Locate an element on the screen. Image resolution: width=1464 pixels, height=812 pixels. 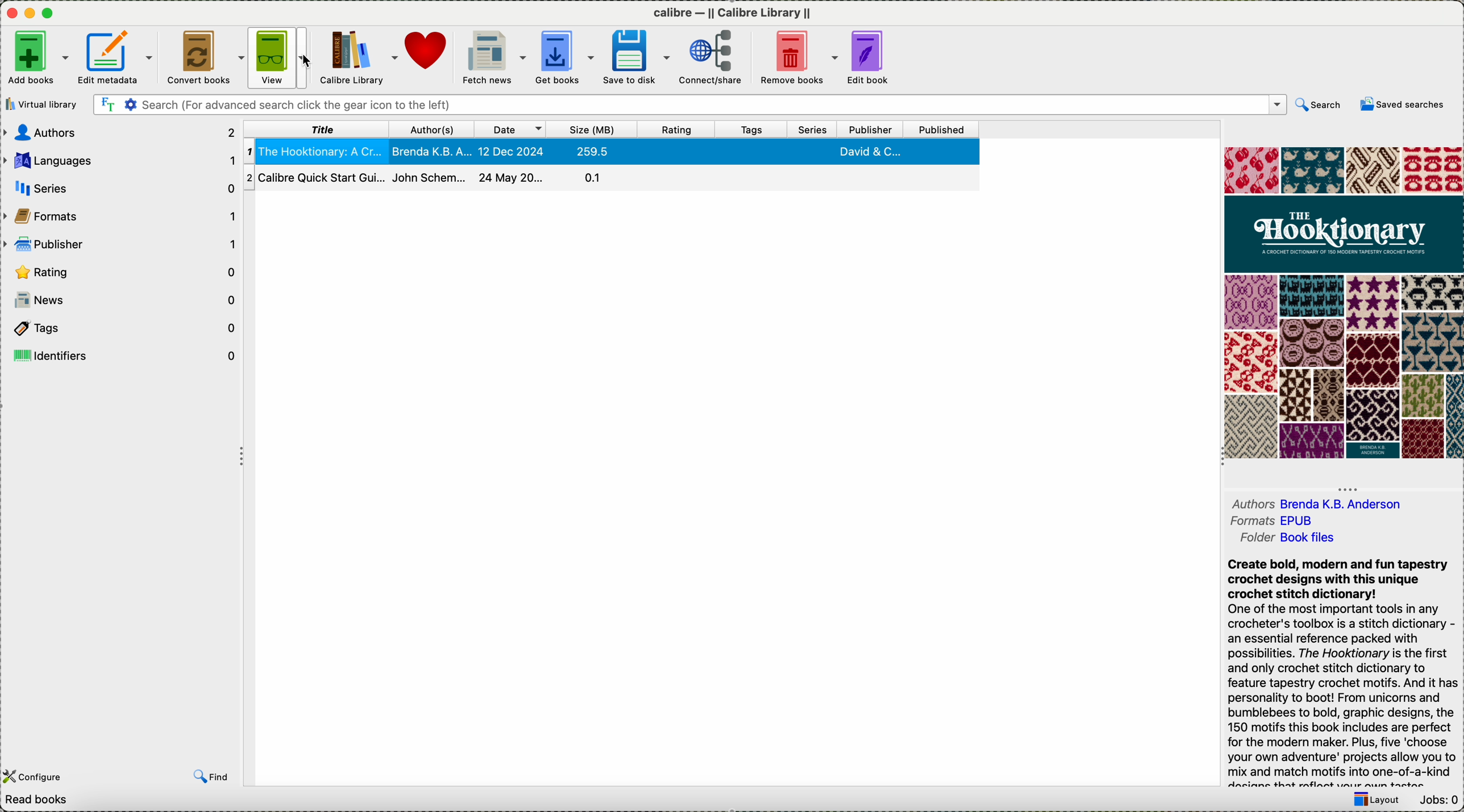
configure is located at coordinates (48, 768).